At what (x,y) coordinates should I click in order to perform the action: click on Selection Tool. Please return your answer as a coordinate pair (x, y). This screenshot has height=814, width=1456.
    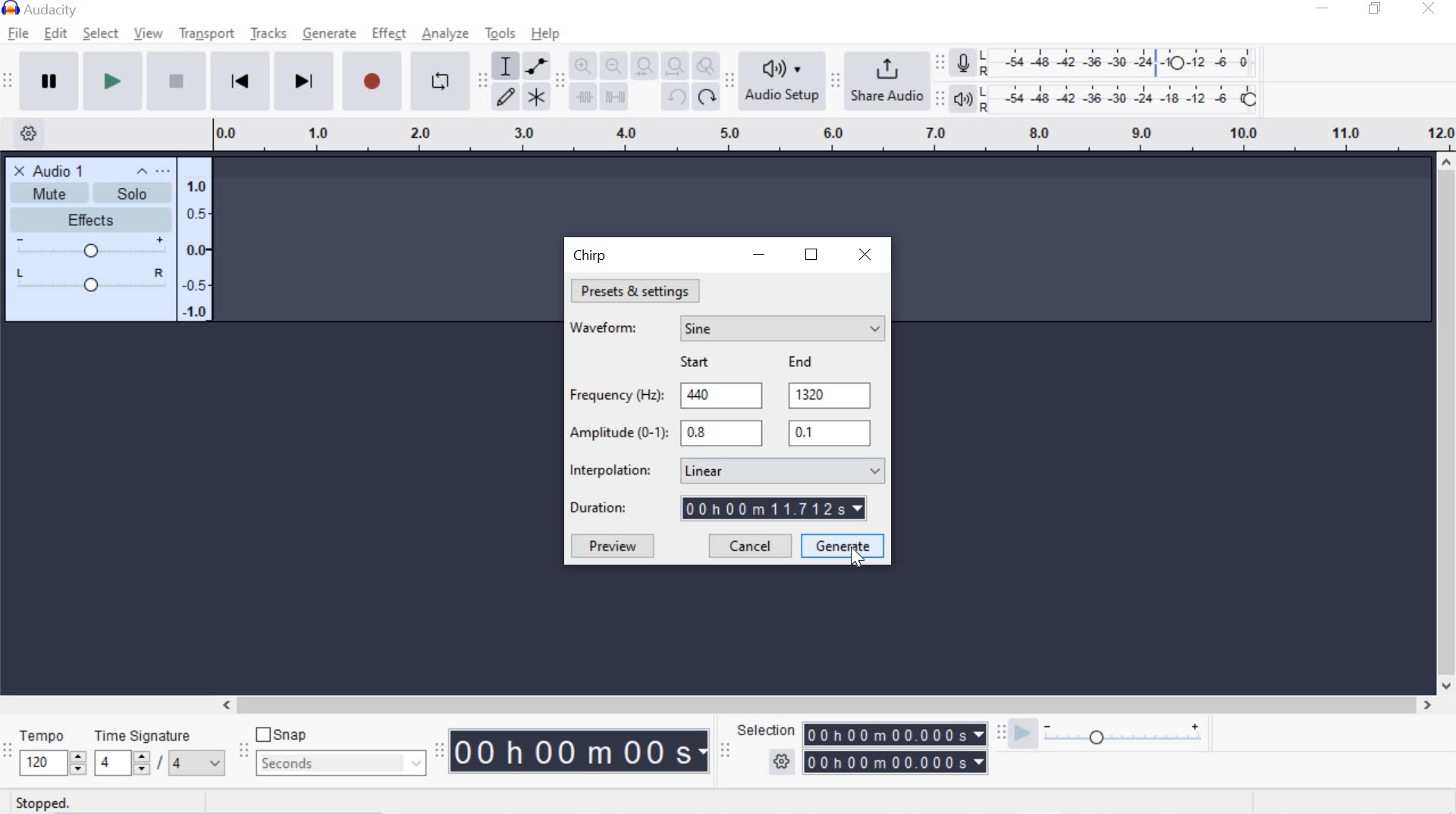
    Looking at the image, I should click on (504, 66).